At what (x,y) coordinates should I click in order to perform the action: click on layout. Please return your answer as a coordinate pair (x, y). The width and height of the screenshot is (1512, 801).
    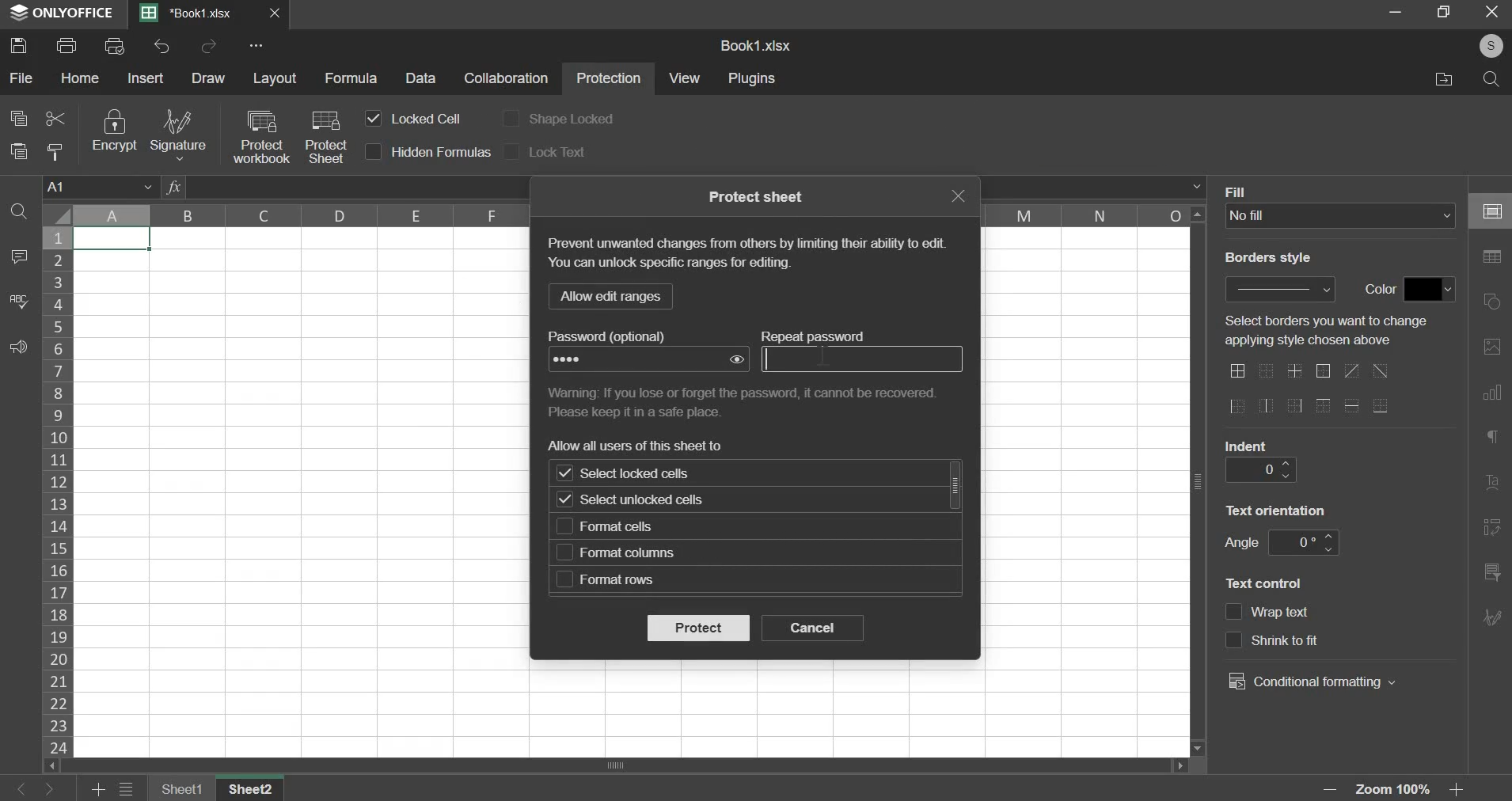
    Looking at the image, I should click on (275, 78).